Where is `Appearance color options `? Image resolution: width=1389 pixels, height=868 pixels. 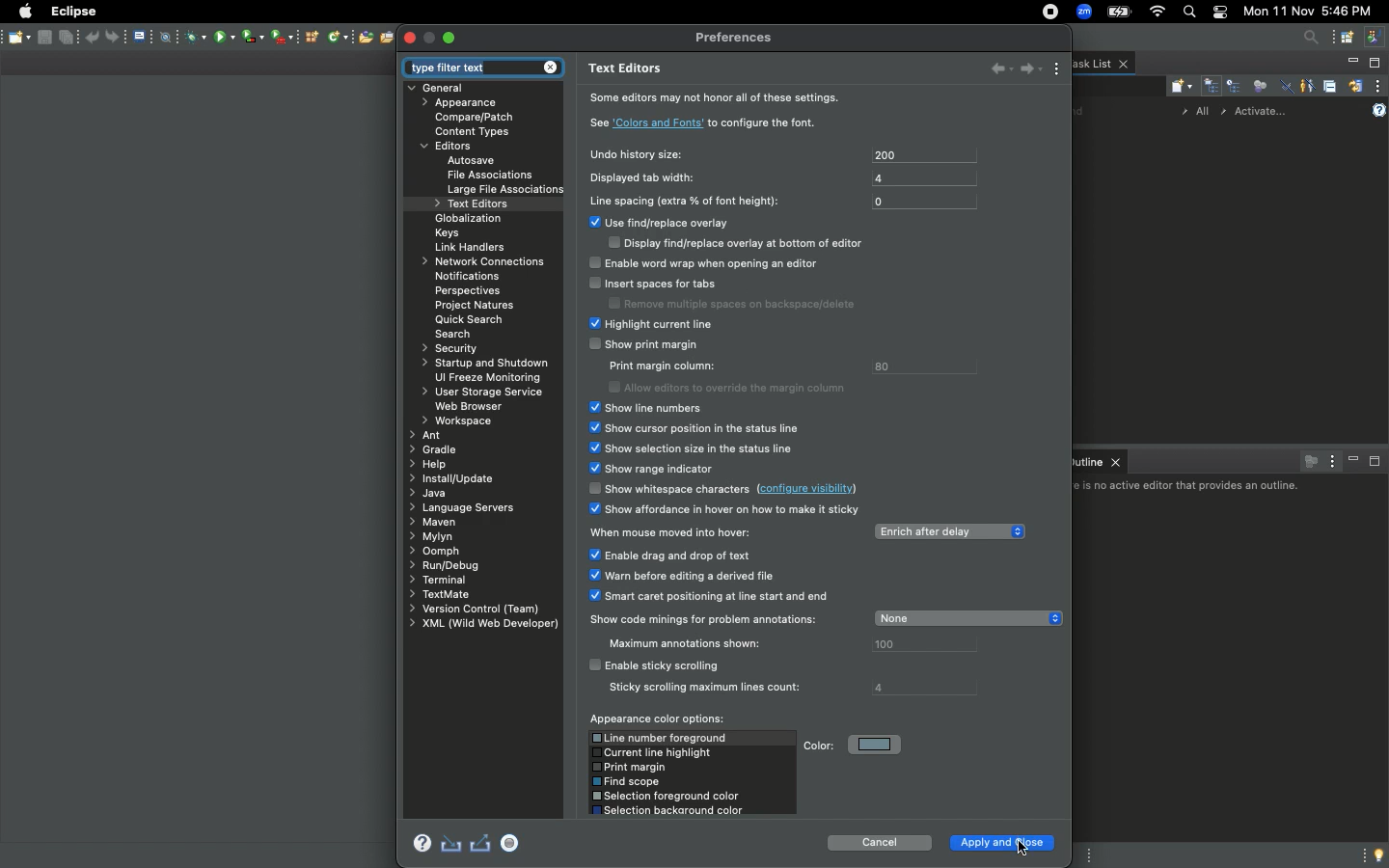 Appearance color options  is located at coordinates (658, 719).